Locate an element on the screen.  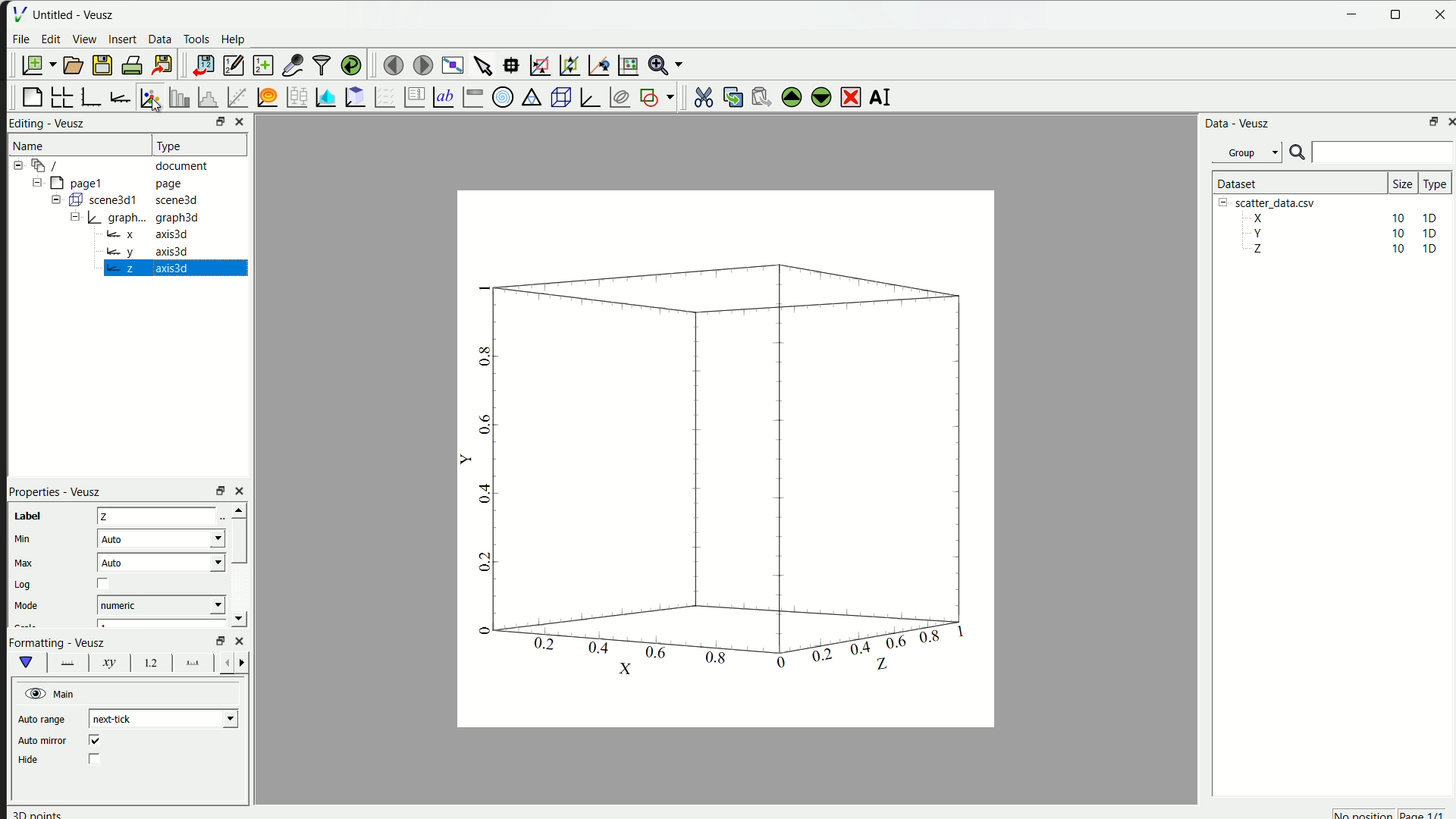
vShape is located at coordinates (27, 663).